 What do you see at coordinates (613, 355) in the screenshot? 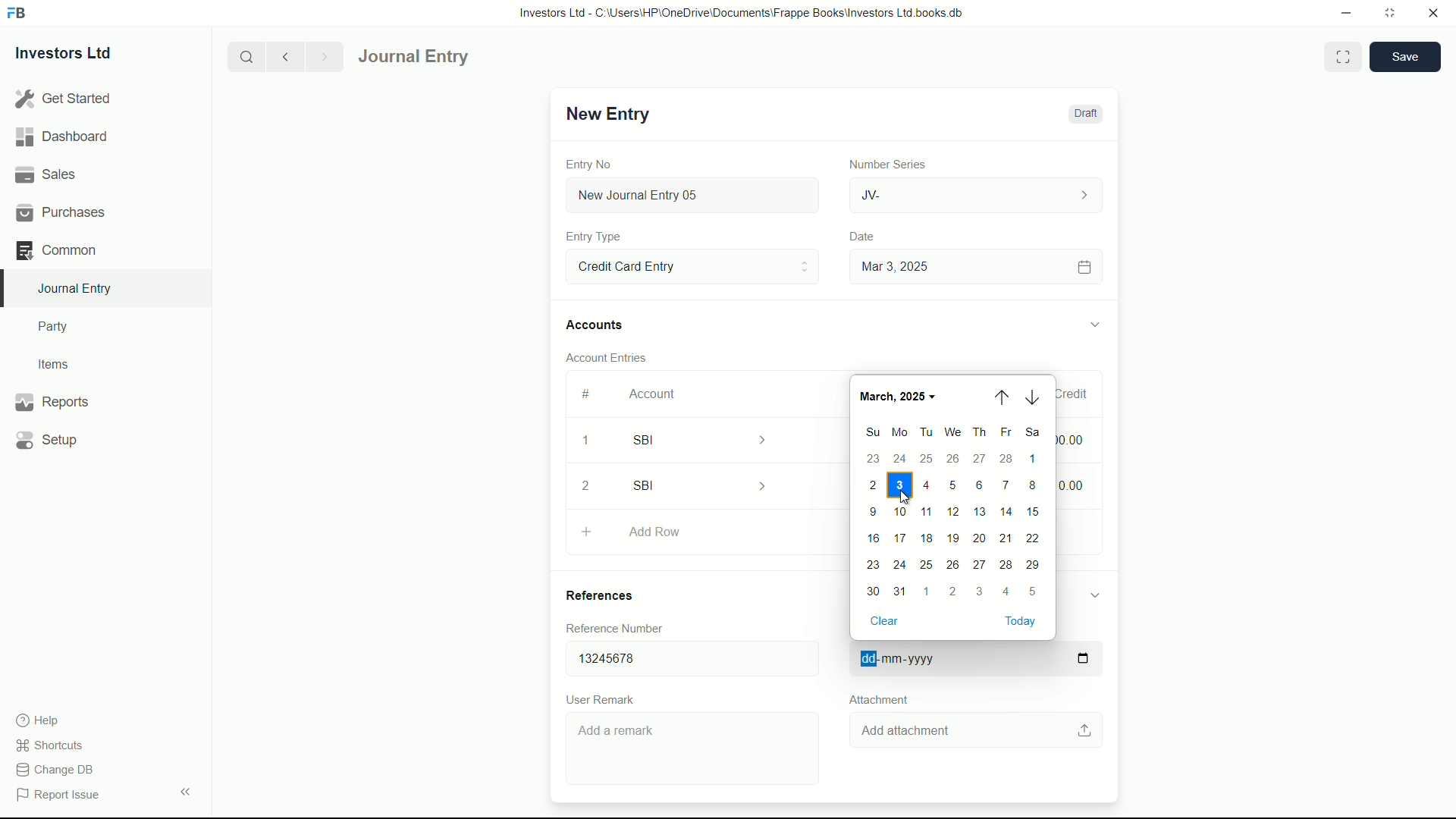
I see `Account Entries` at bounding box center [613, 355].